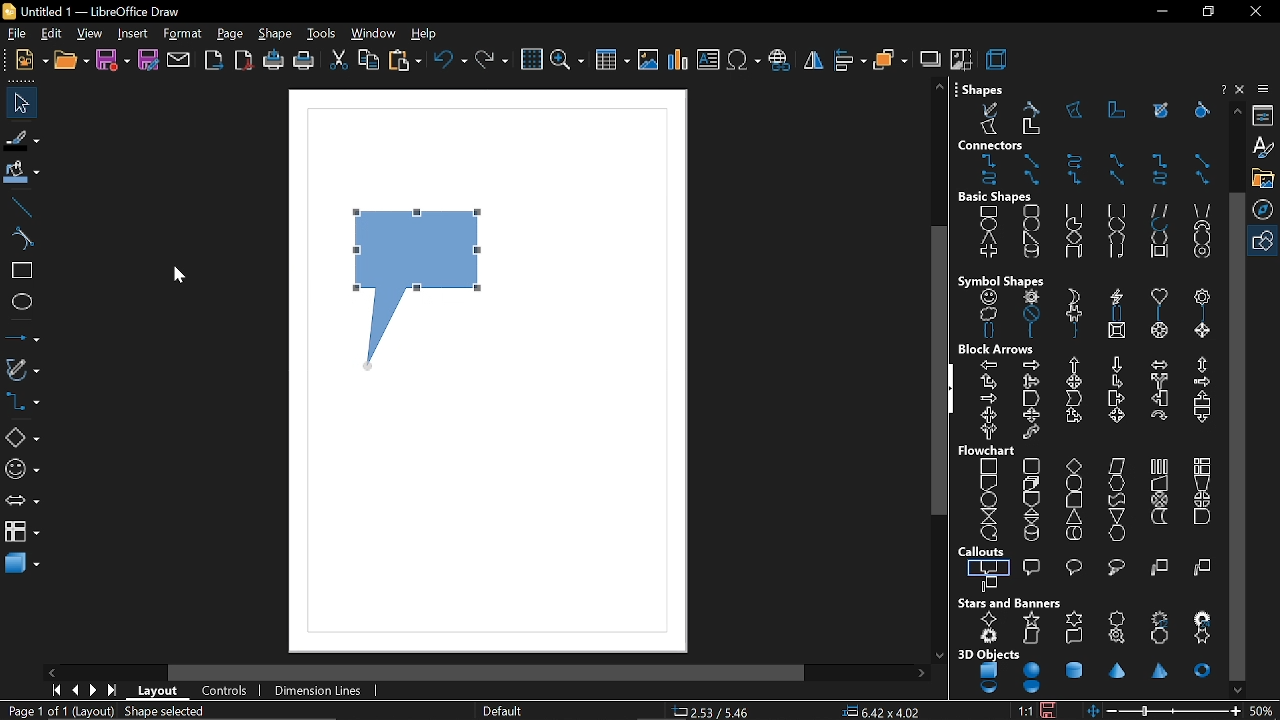 The image size is (1280, 720). I want to click on page, so click(228, 33).